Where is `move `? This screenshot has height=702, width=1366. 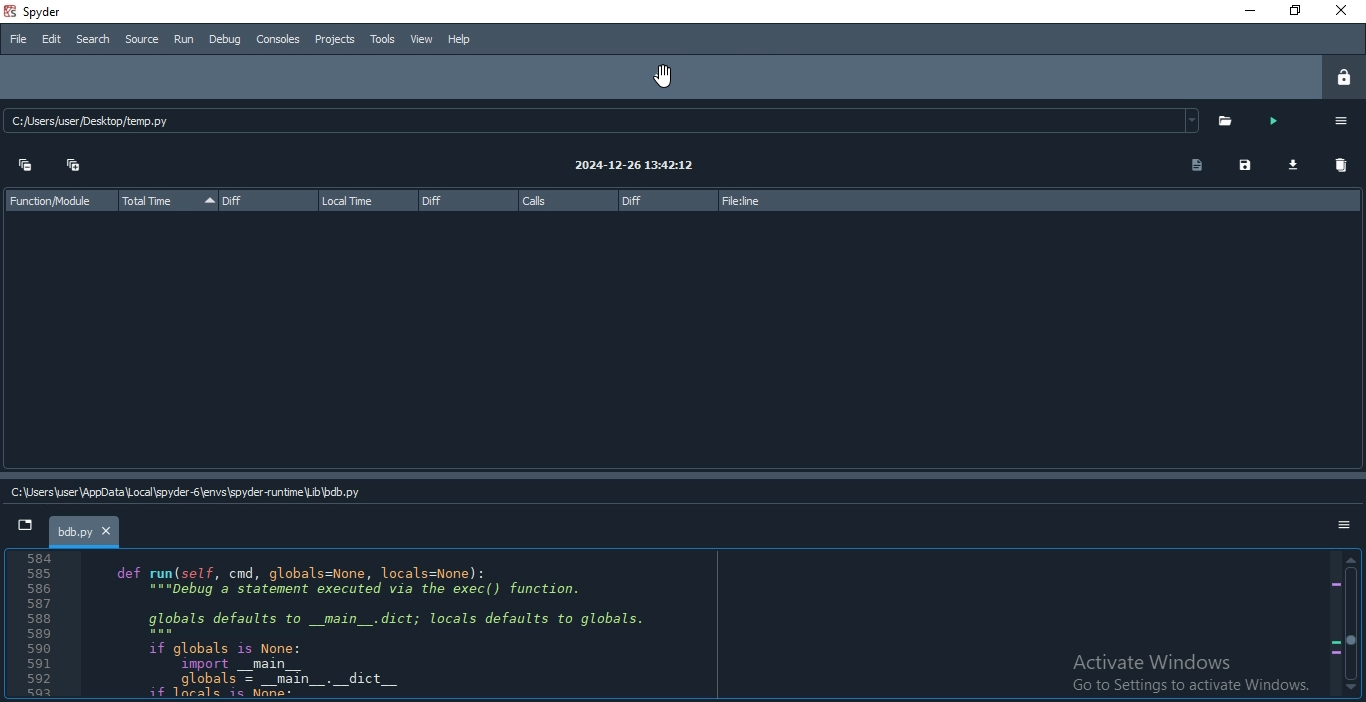 move  is located at coordinates (661, 77).